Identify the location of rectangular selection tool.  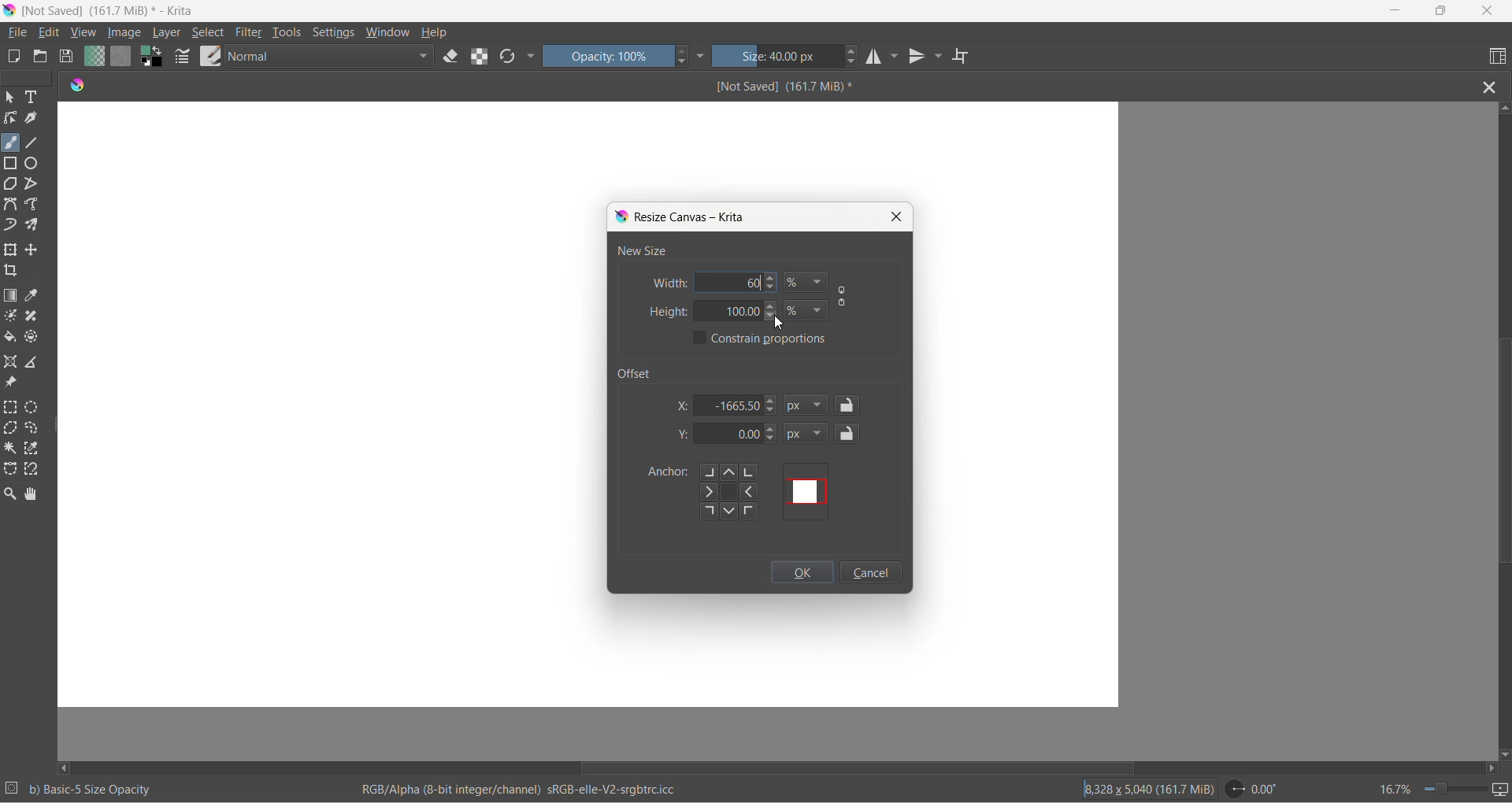
(12, 409).